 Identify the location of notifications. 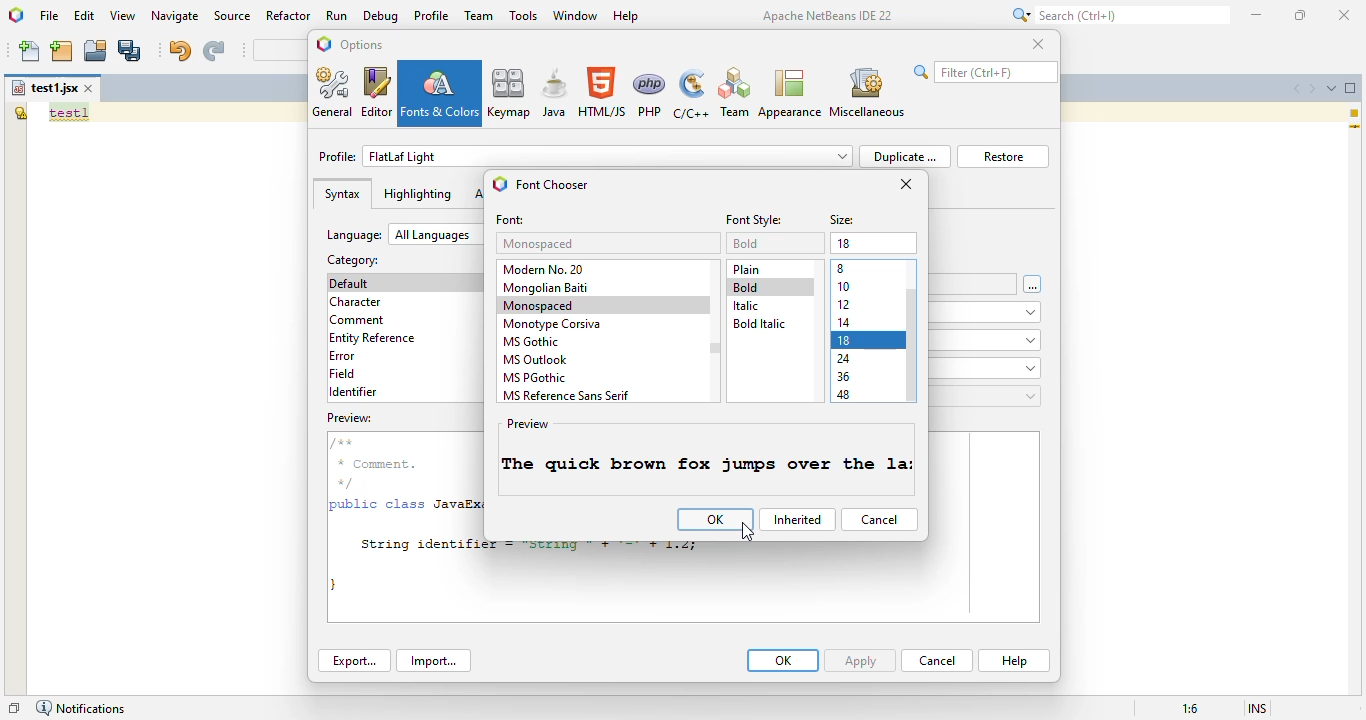
(80, 708).